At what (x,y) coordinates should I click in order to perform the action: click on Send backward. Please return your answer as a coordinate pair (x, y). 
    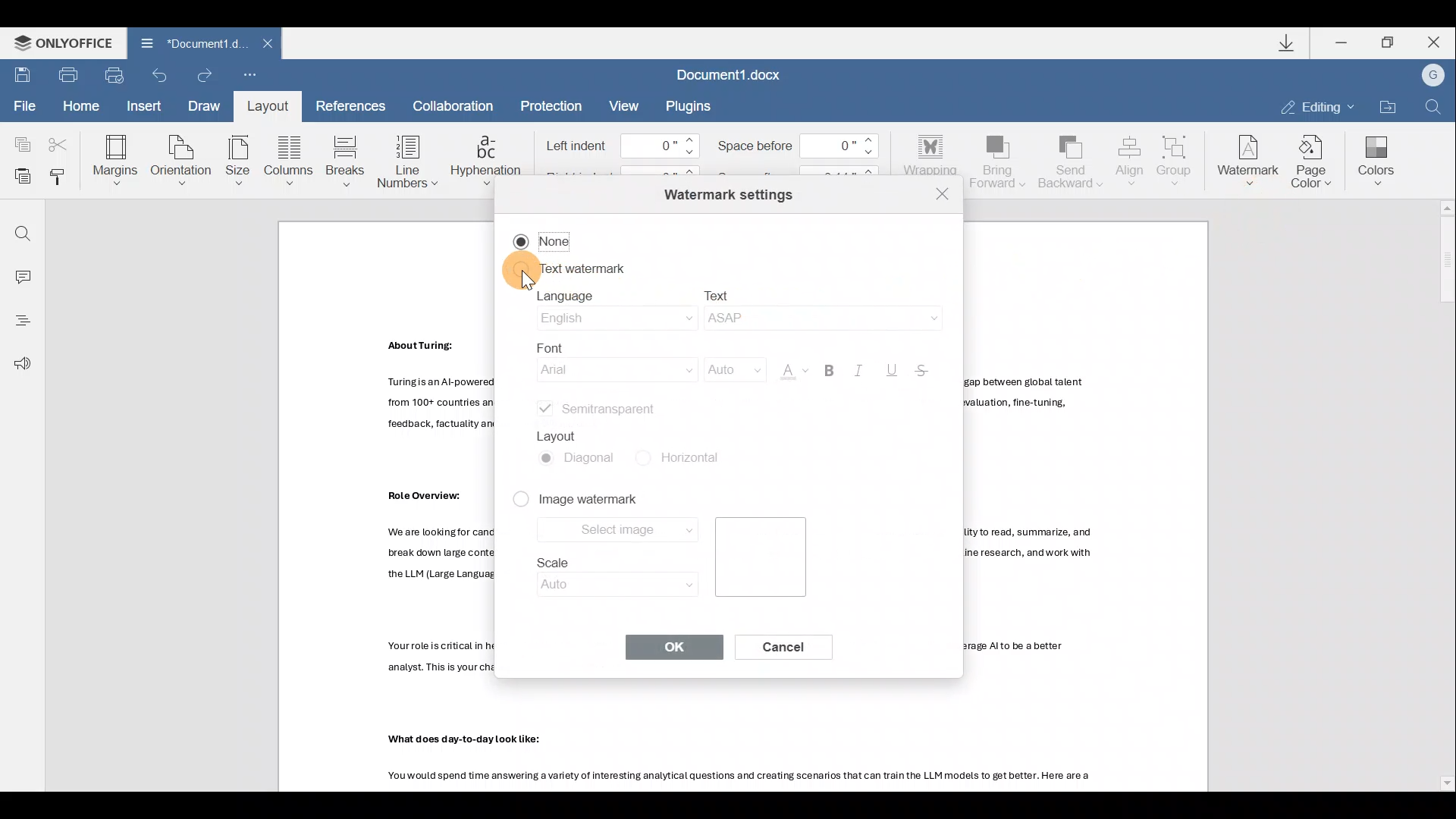
    Looking at the image, I should click on (1072, 160).